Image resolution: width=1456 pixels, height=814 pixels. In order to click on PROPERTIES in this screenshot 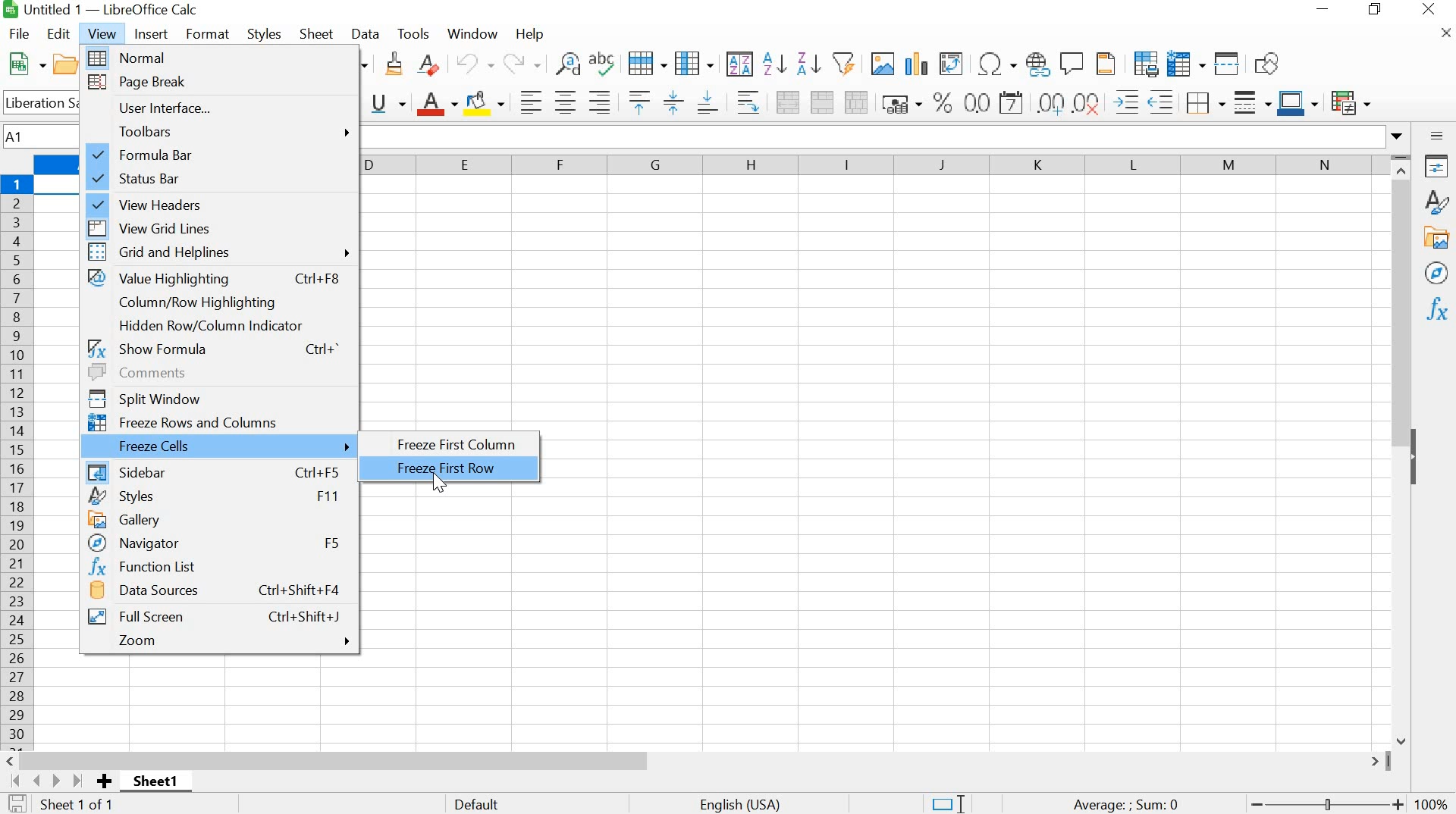, I will do `click(1437, 166)`.